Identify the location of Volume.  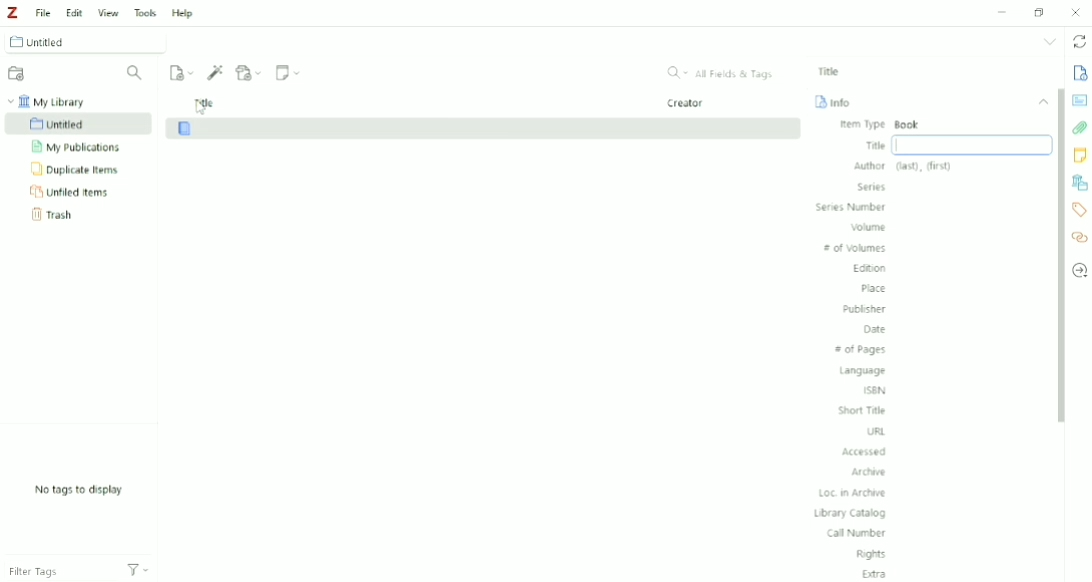
(868, 227).